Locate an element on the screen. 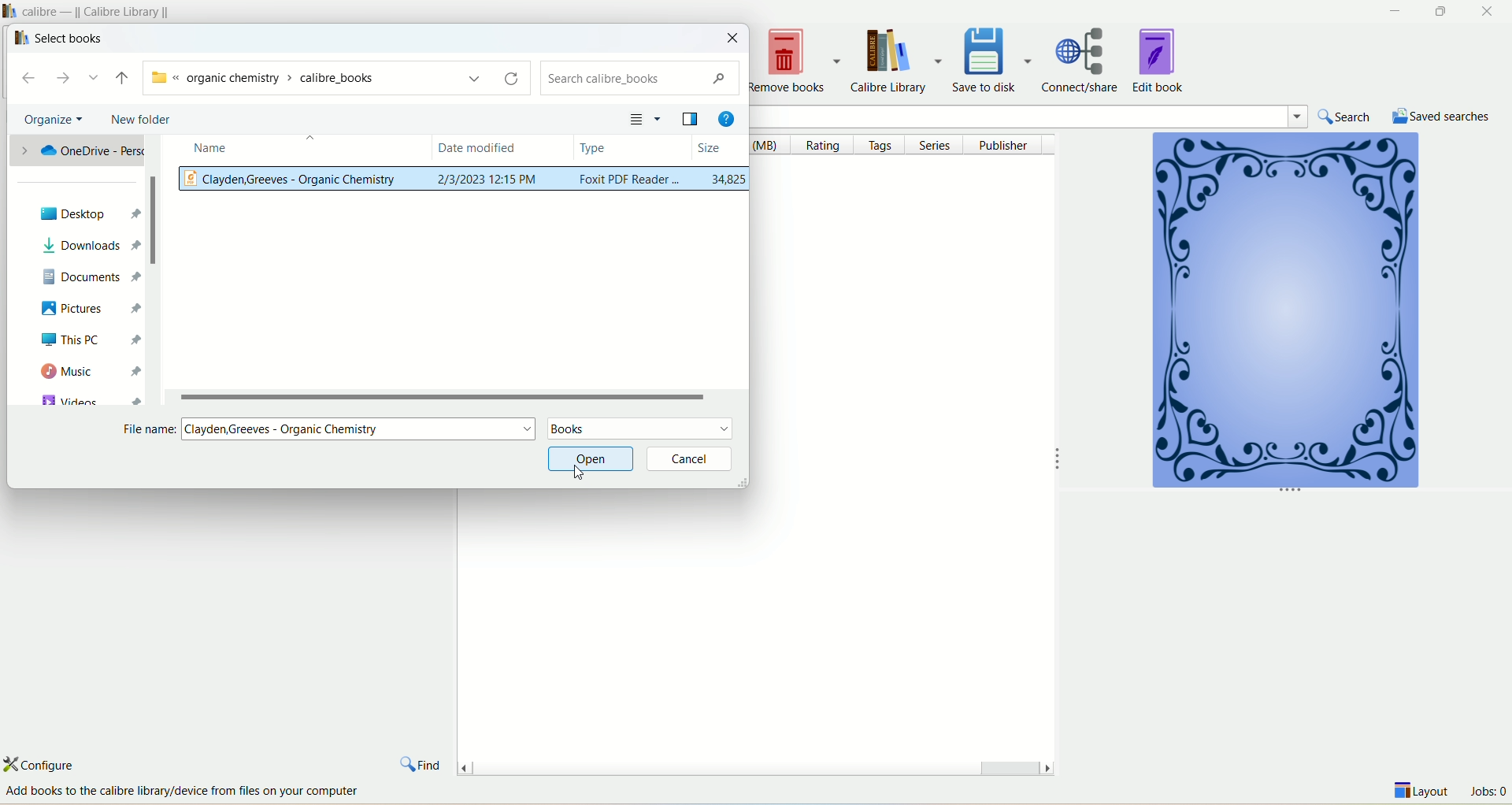  layout is located at coordinates (1423, 793).